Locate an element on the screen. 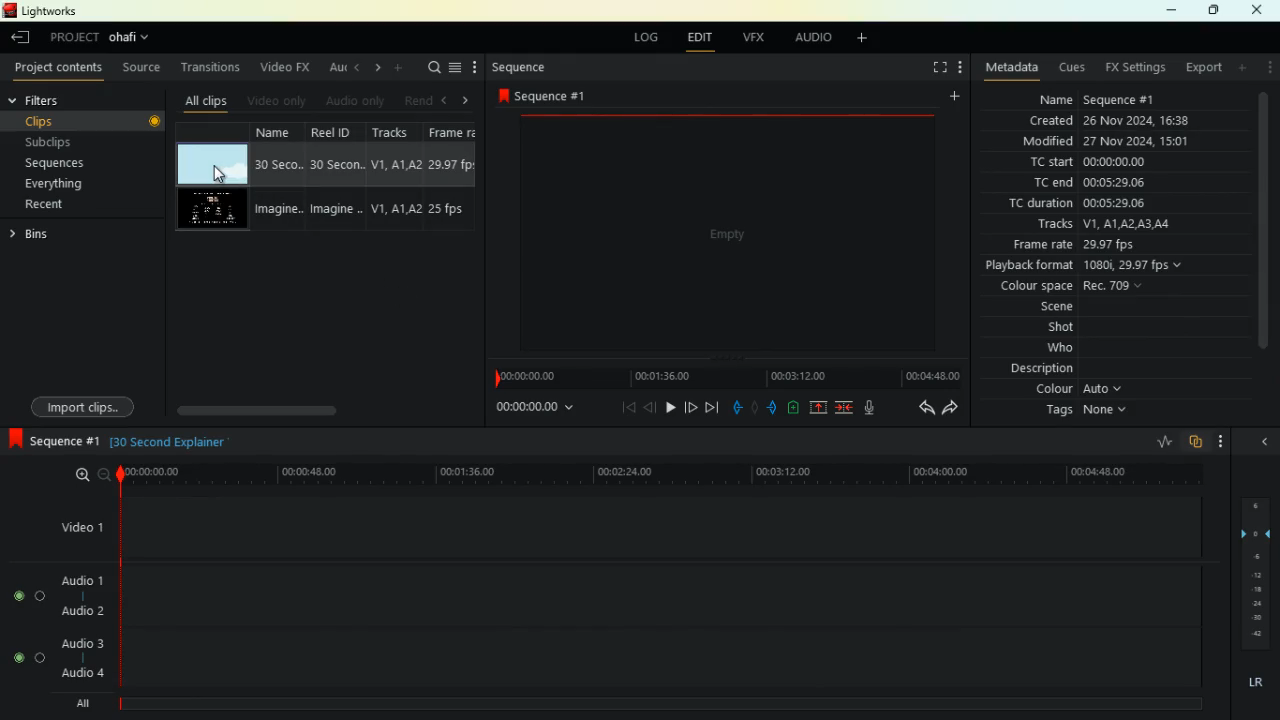  back is located at coordinates (918, 408).